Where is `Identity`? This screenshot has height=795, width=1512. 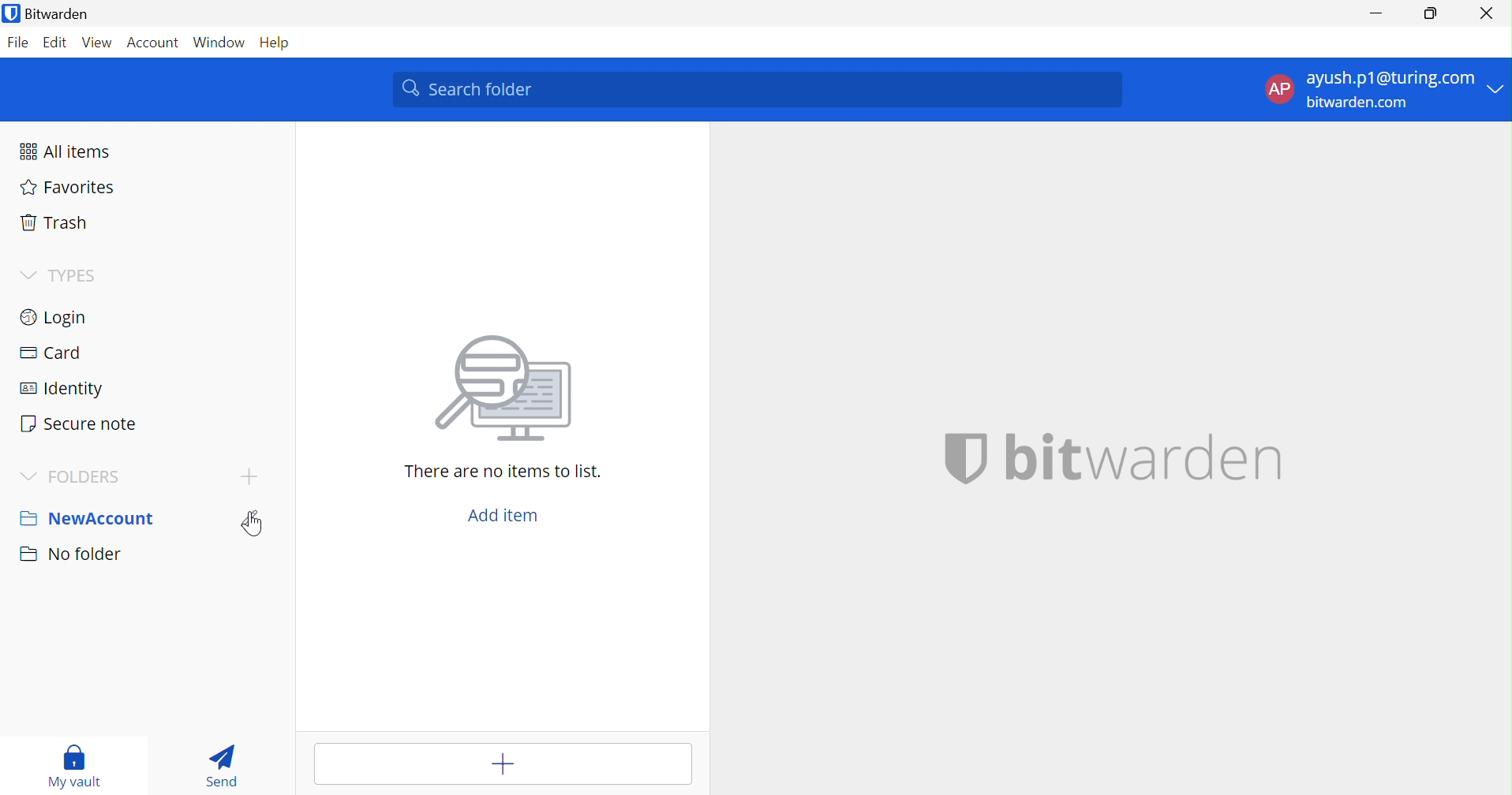 Identity is located at coordinates (65, 388).